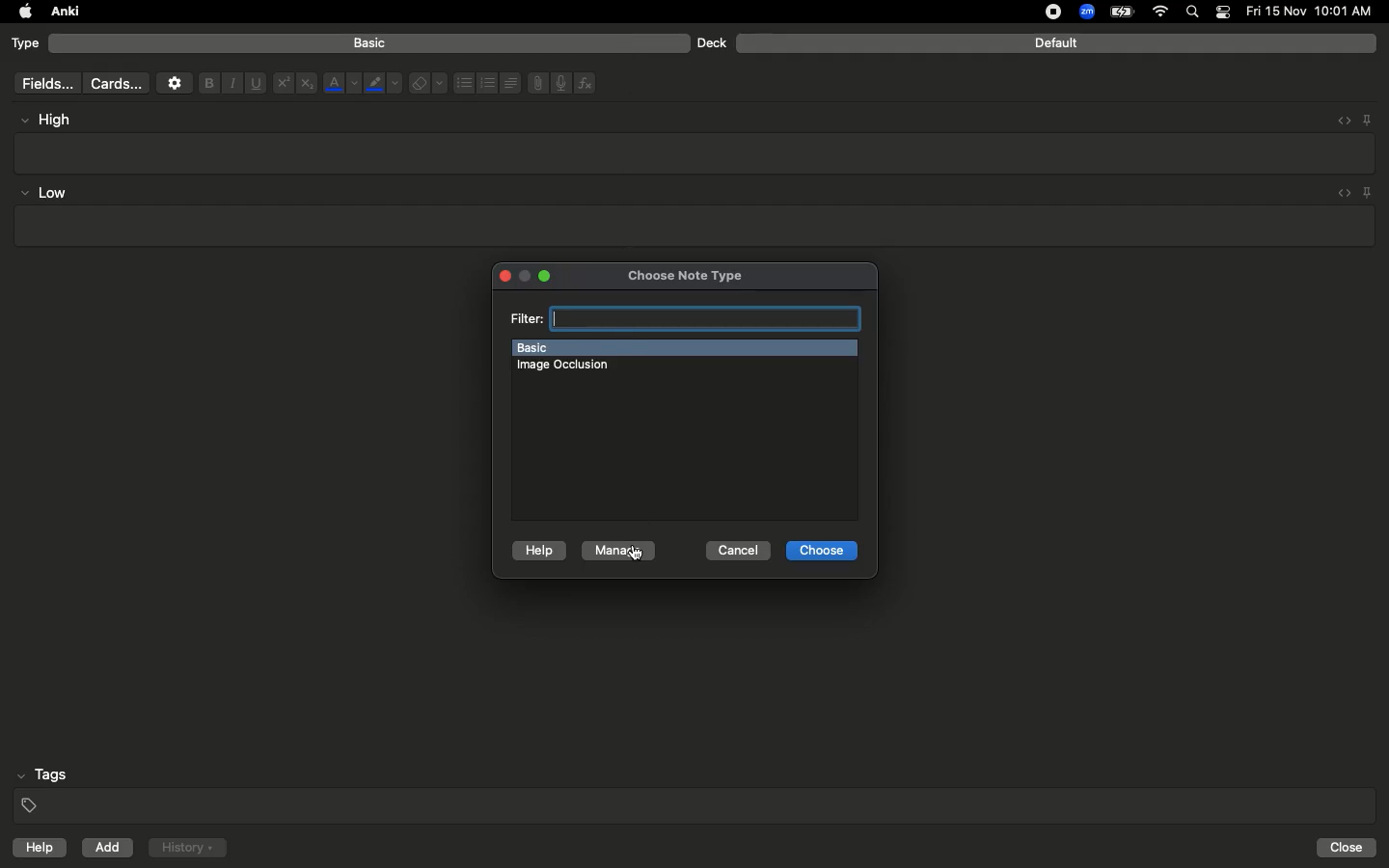 The width and height of the screenshot is (1389, 868). What do you see at coordinates (692, 274) in the screenshot?
I see `Choose note type` at bounding box center [692, 274].